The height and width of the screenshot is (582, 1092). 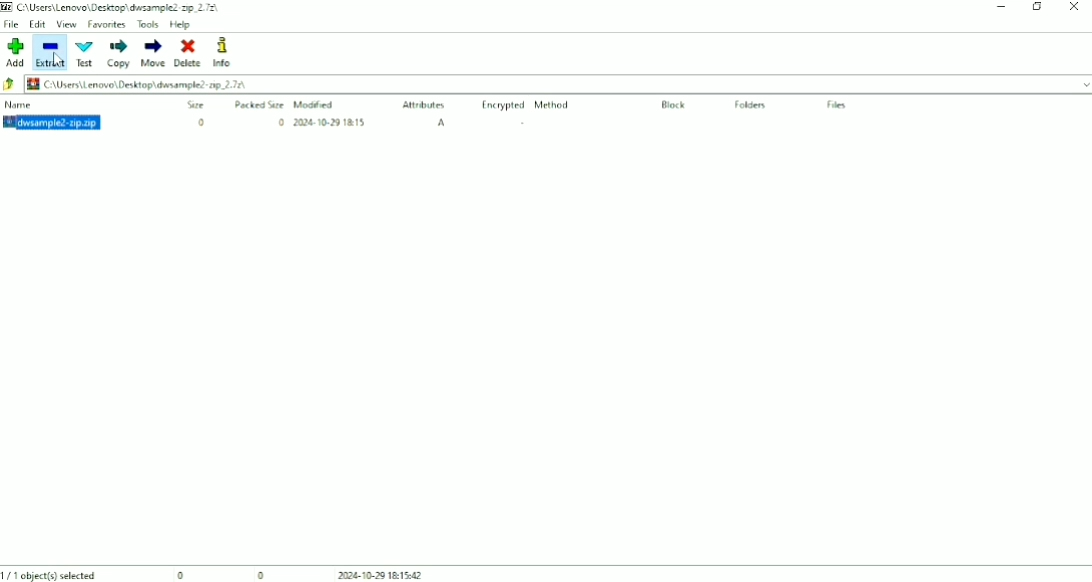 What do you see at coordinates (389, 575) in the screenshot?
I see `2024-10-29 18:15:42` at bounding box center [389, 575].